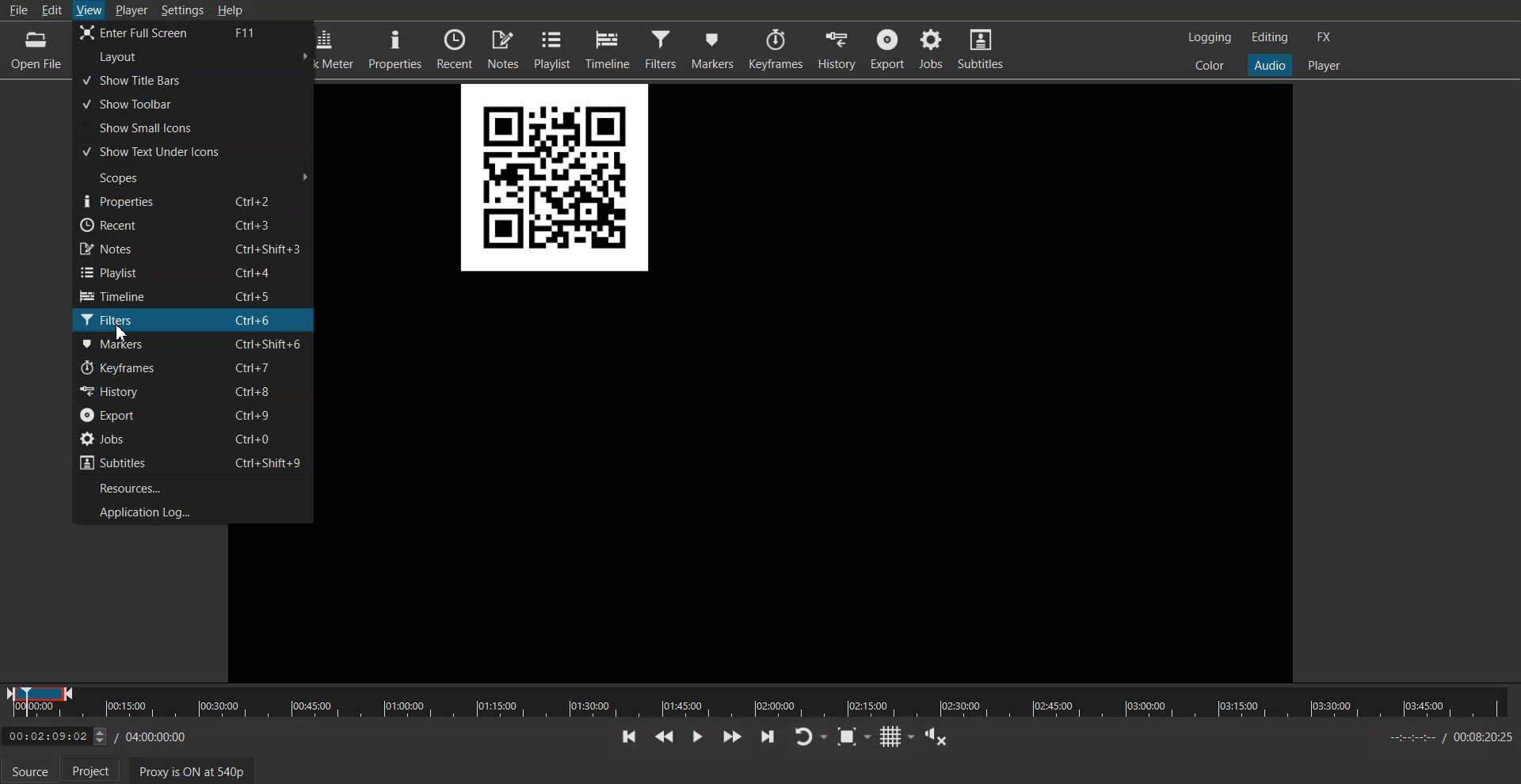 The width and height of the screenshot is (1521, 784). I want to click on Proxy is ON at 540p, so click(192, 771).